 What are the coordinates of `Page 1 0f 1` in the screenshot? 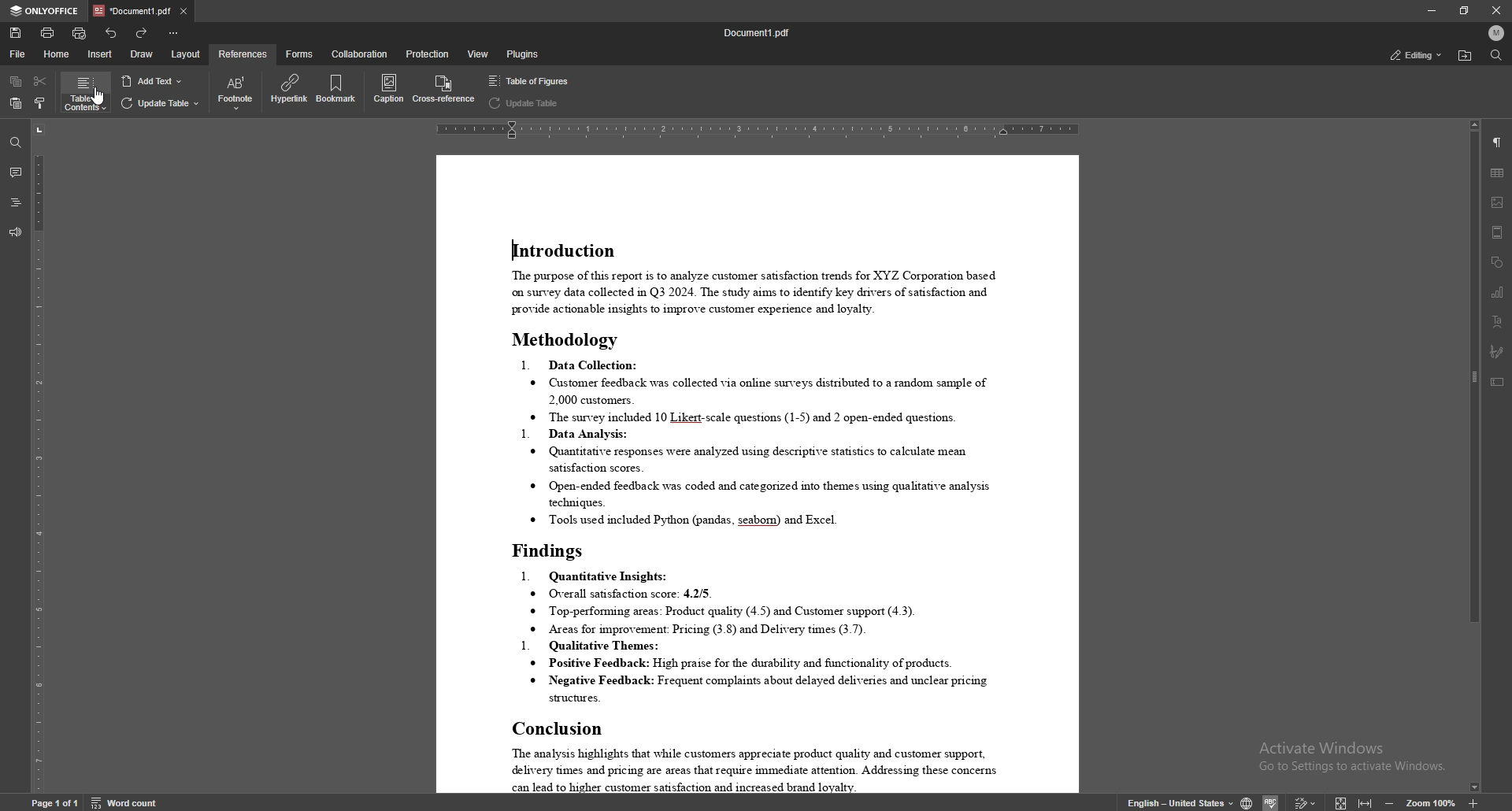 It's located at (57, 802).